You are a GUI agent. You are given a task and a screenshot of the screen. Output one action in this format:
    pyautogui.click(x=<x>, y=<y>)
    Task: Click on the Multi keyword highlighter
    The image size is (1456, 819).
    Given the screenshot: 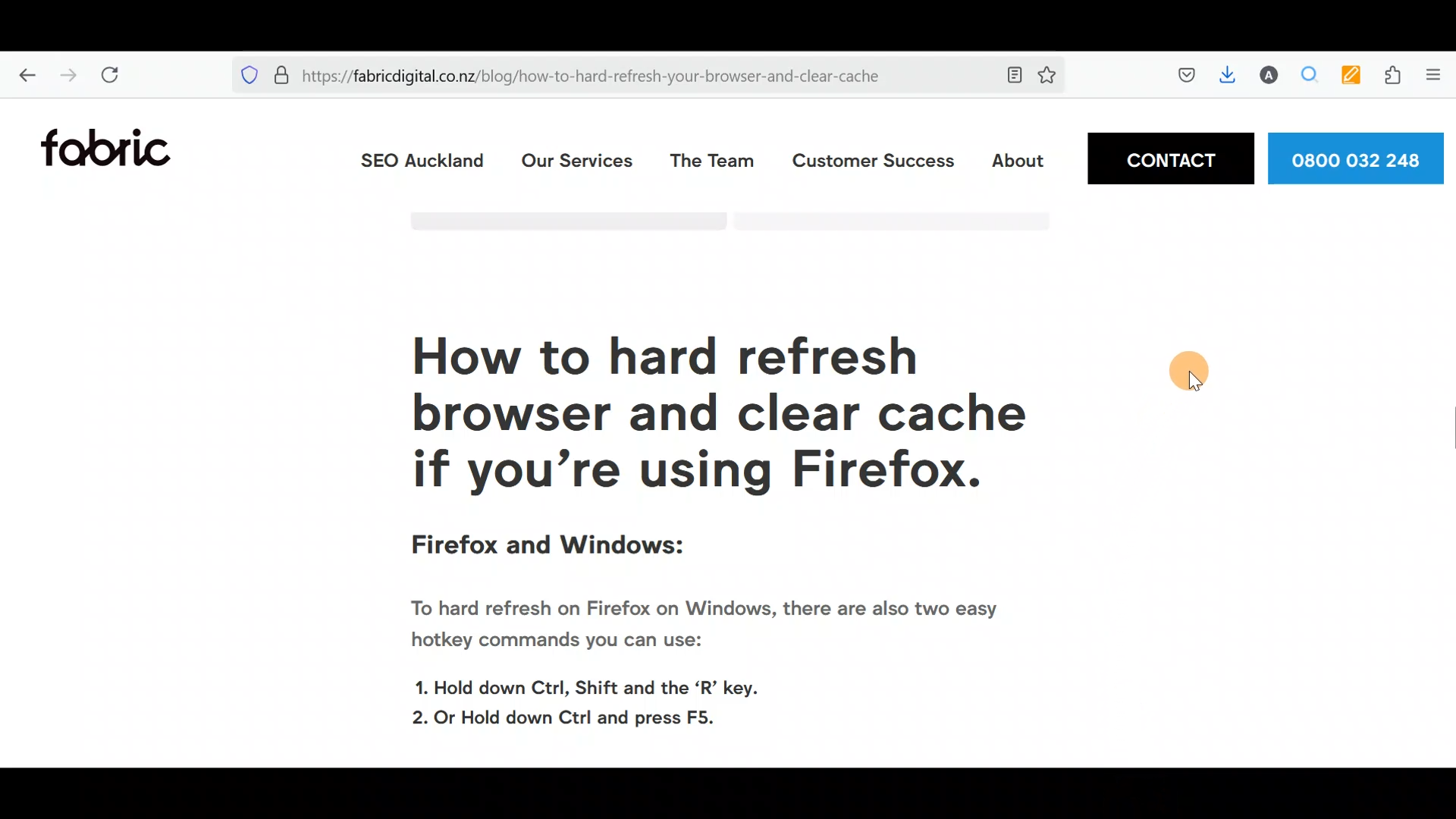 What is the action you would take?
    pyautogui.click(x=1350, y=77)
    